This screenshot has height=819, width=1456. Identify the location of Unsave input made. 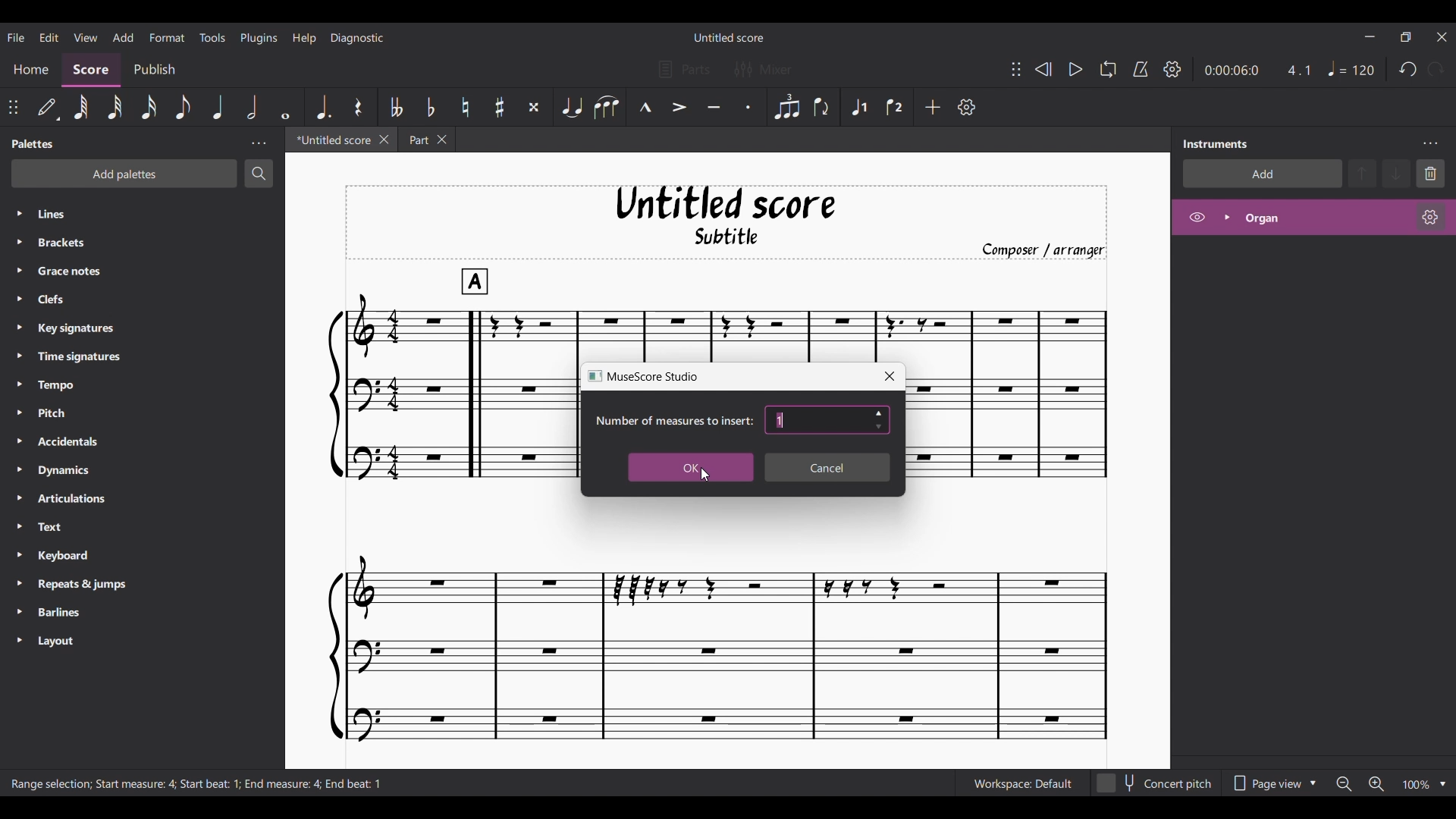
(827, 468).